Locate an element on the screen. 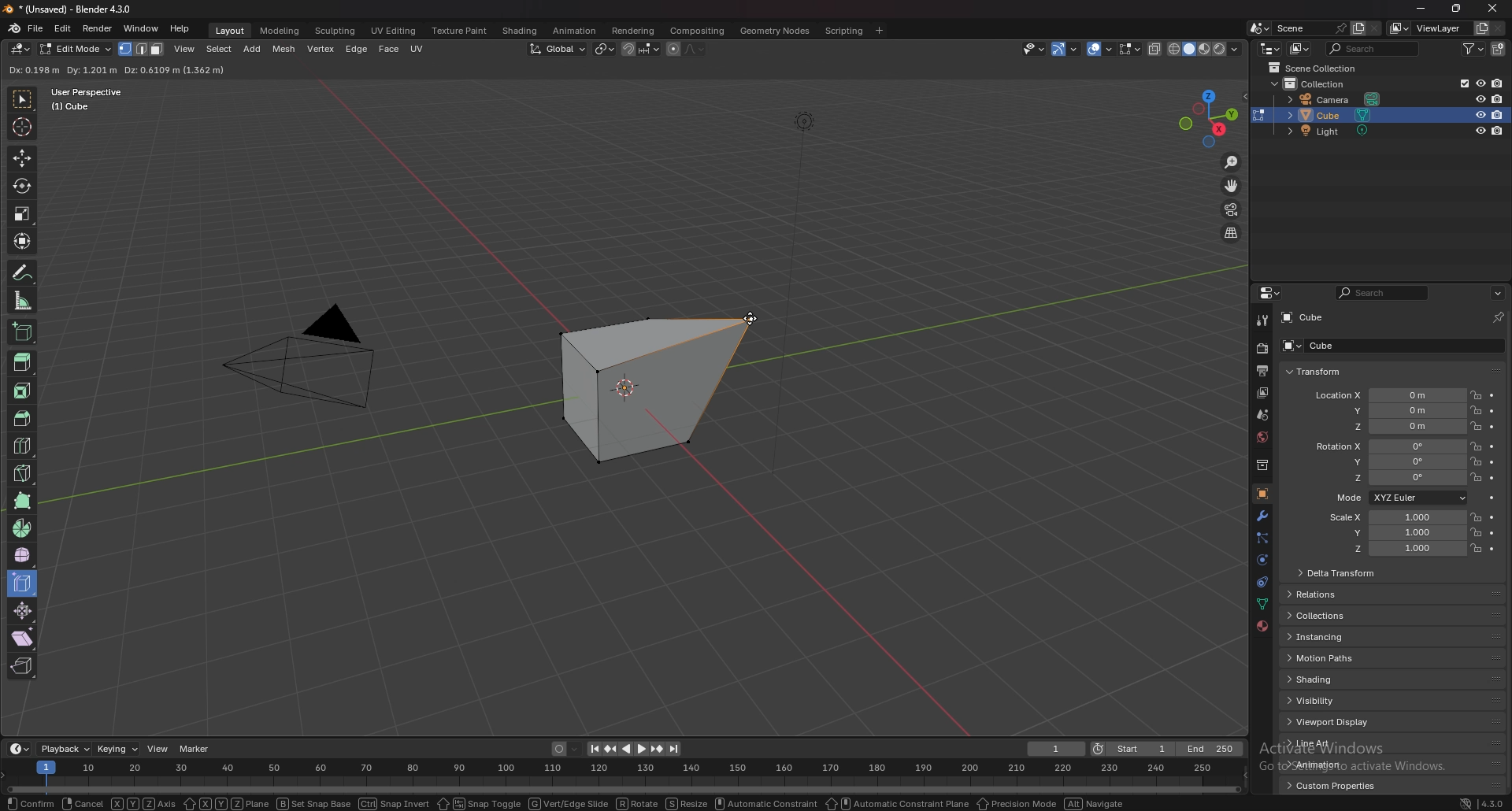 This screenshot has width=1512, height=811. modeling is located at coordinates (279, 31).